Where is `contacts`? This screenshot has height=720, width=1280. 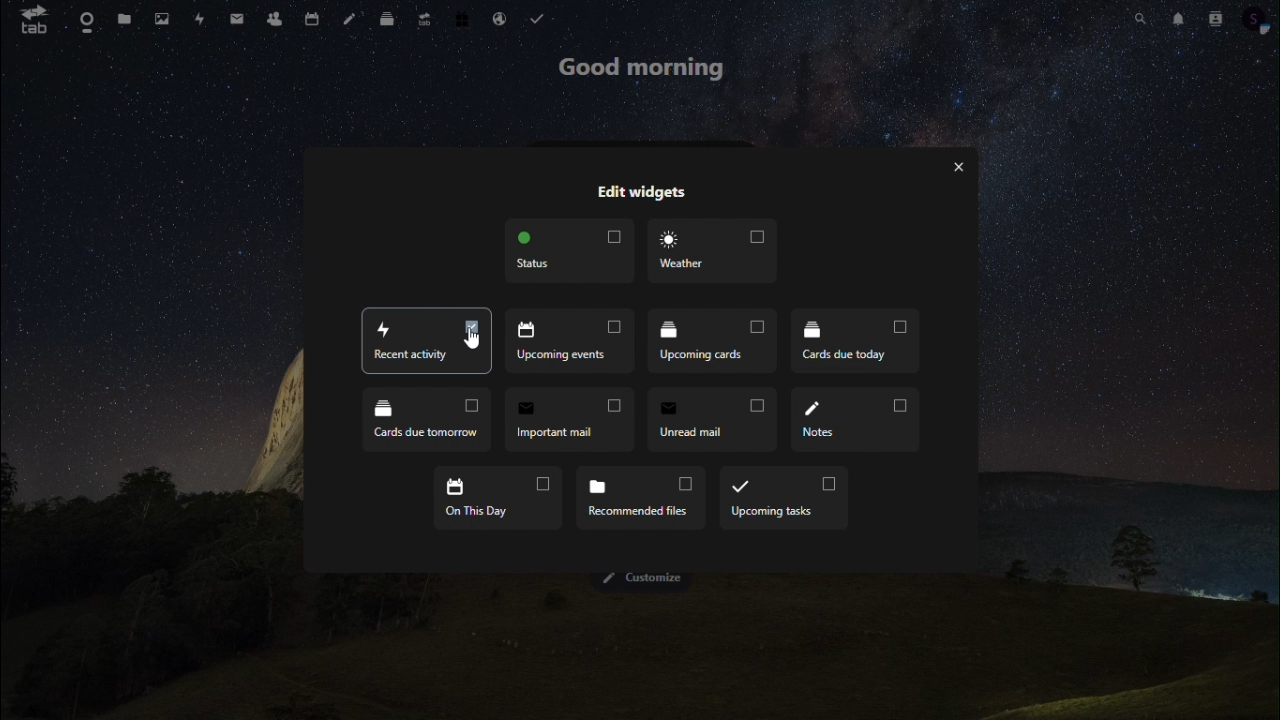 contacts is located at coordinates (1216, 23).